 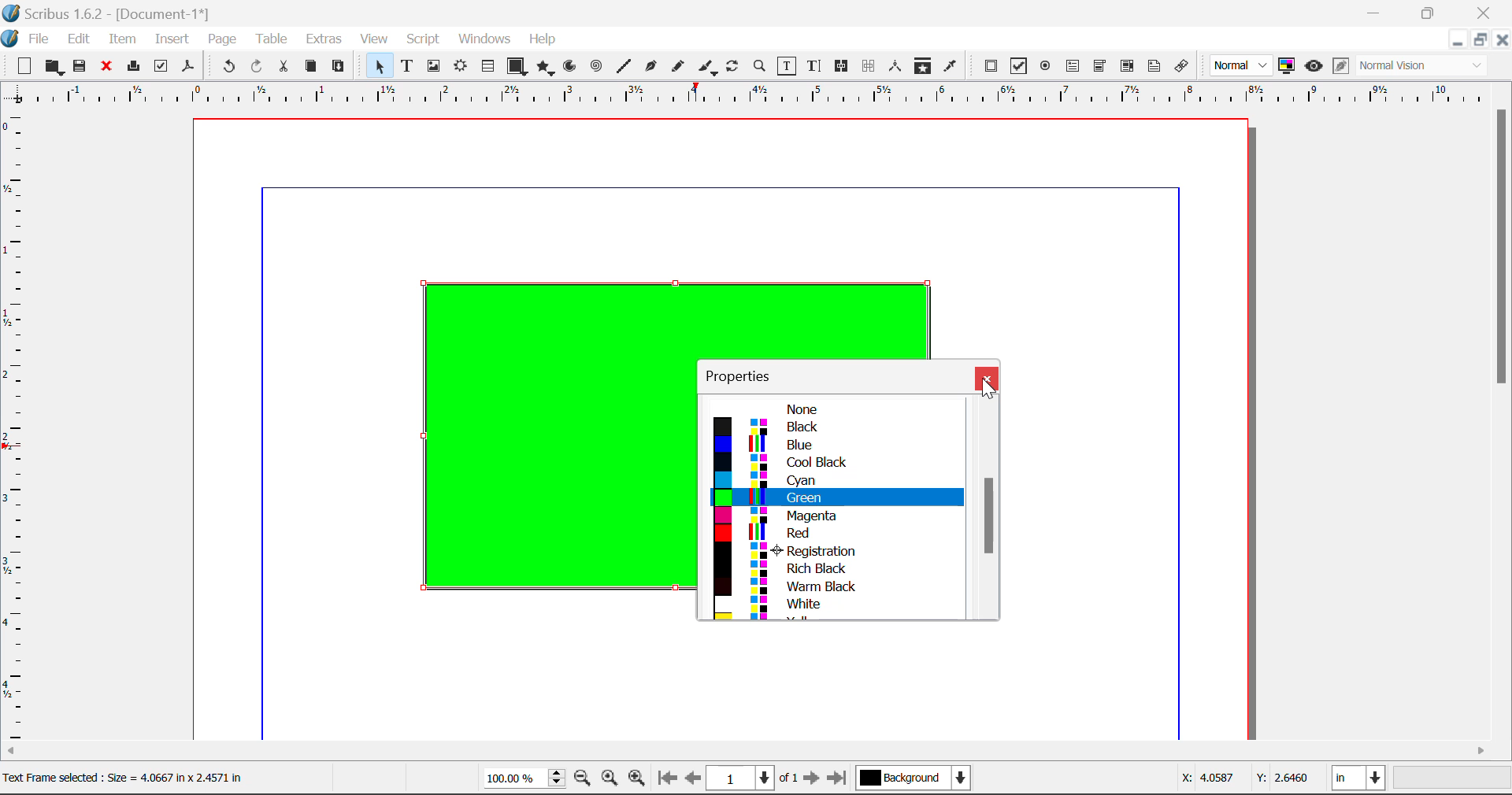 I want to click on Zoom Out, so click(x=584, y=780).